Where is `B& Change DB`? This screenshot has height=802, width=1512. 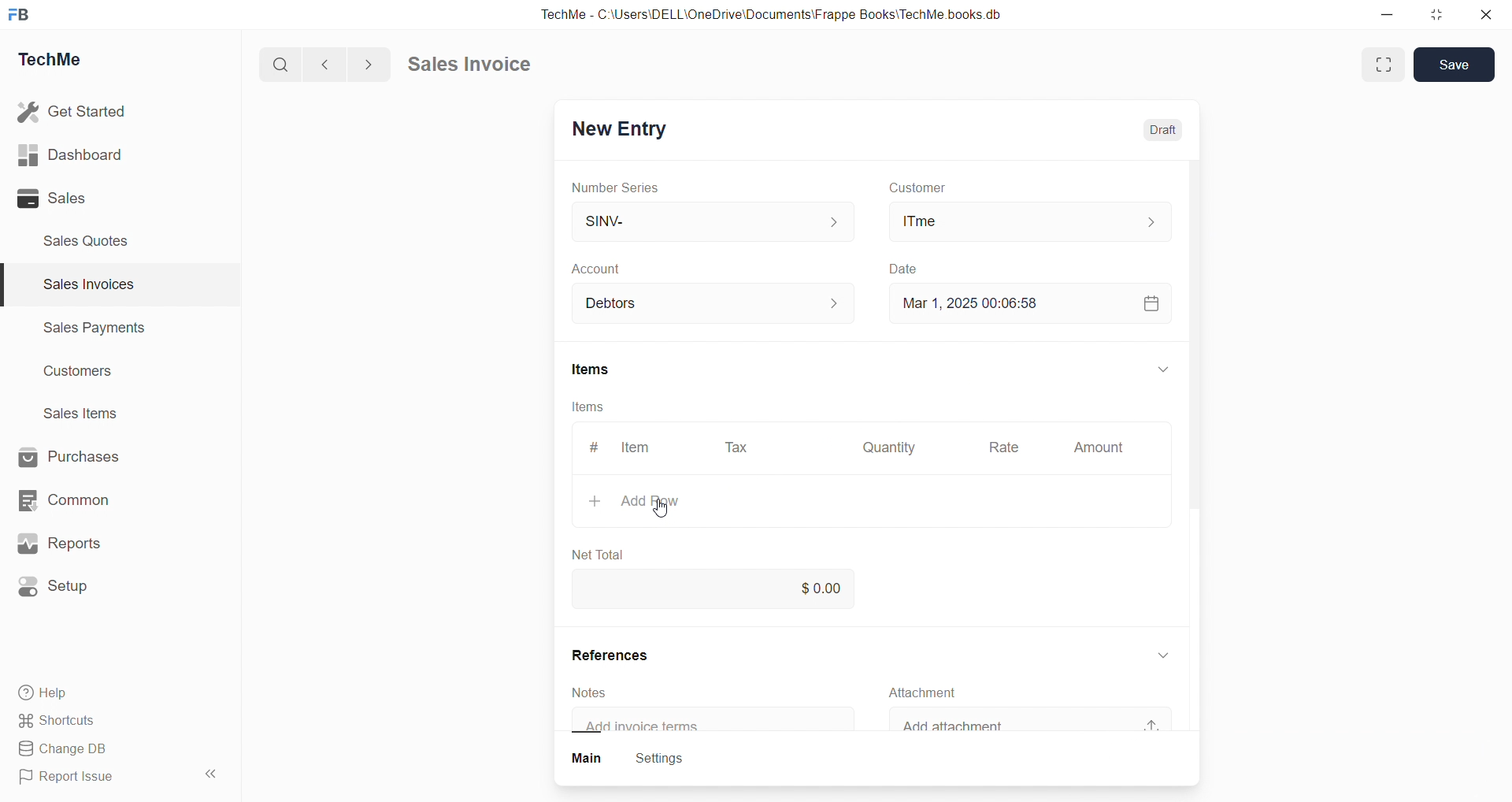 B& Change DB is located at coordinates (69, 750).